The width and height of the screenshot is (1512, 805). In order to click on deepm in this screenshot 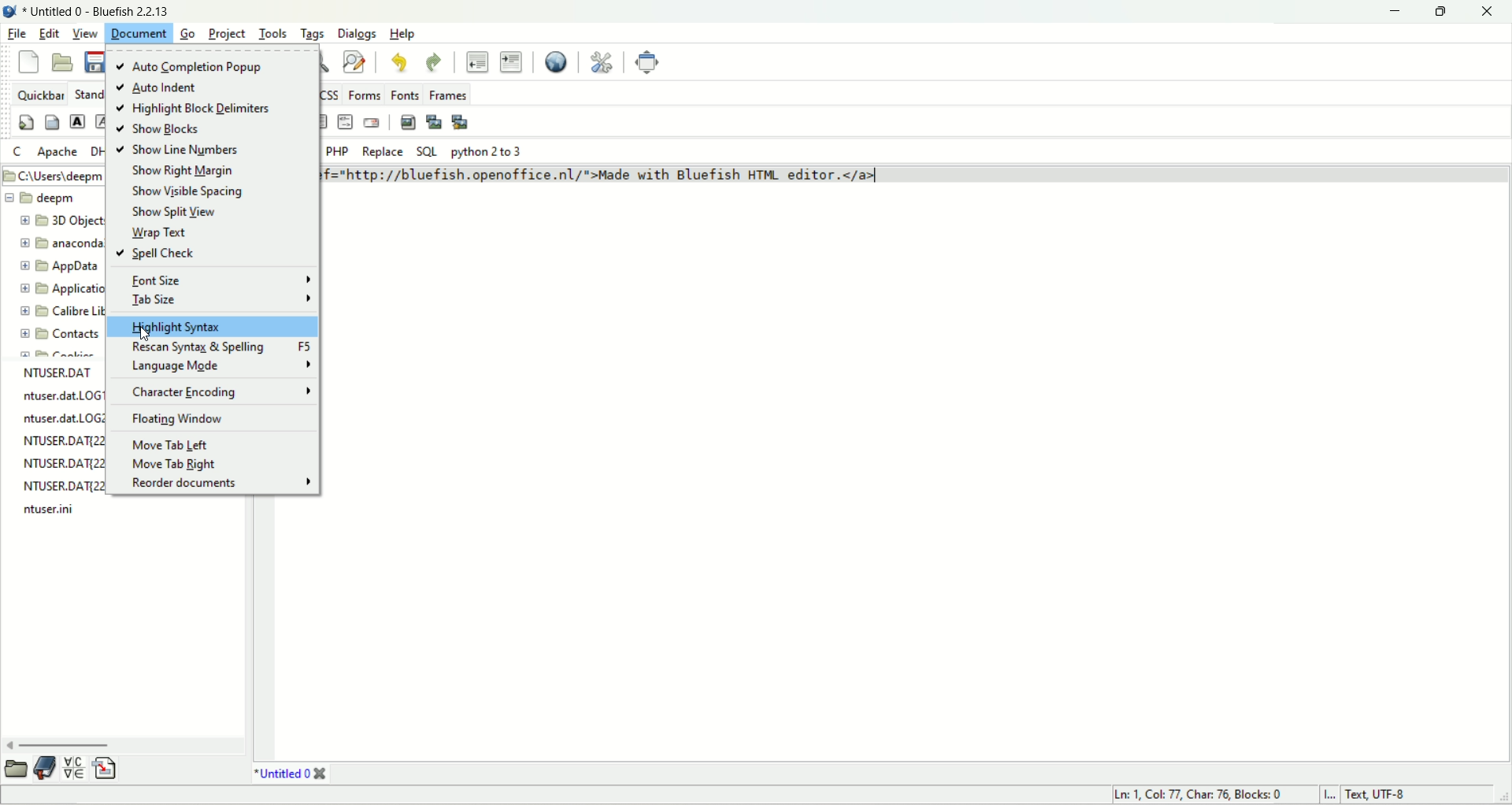, I will do `click(41, 198)`.